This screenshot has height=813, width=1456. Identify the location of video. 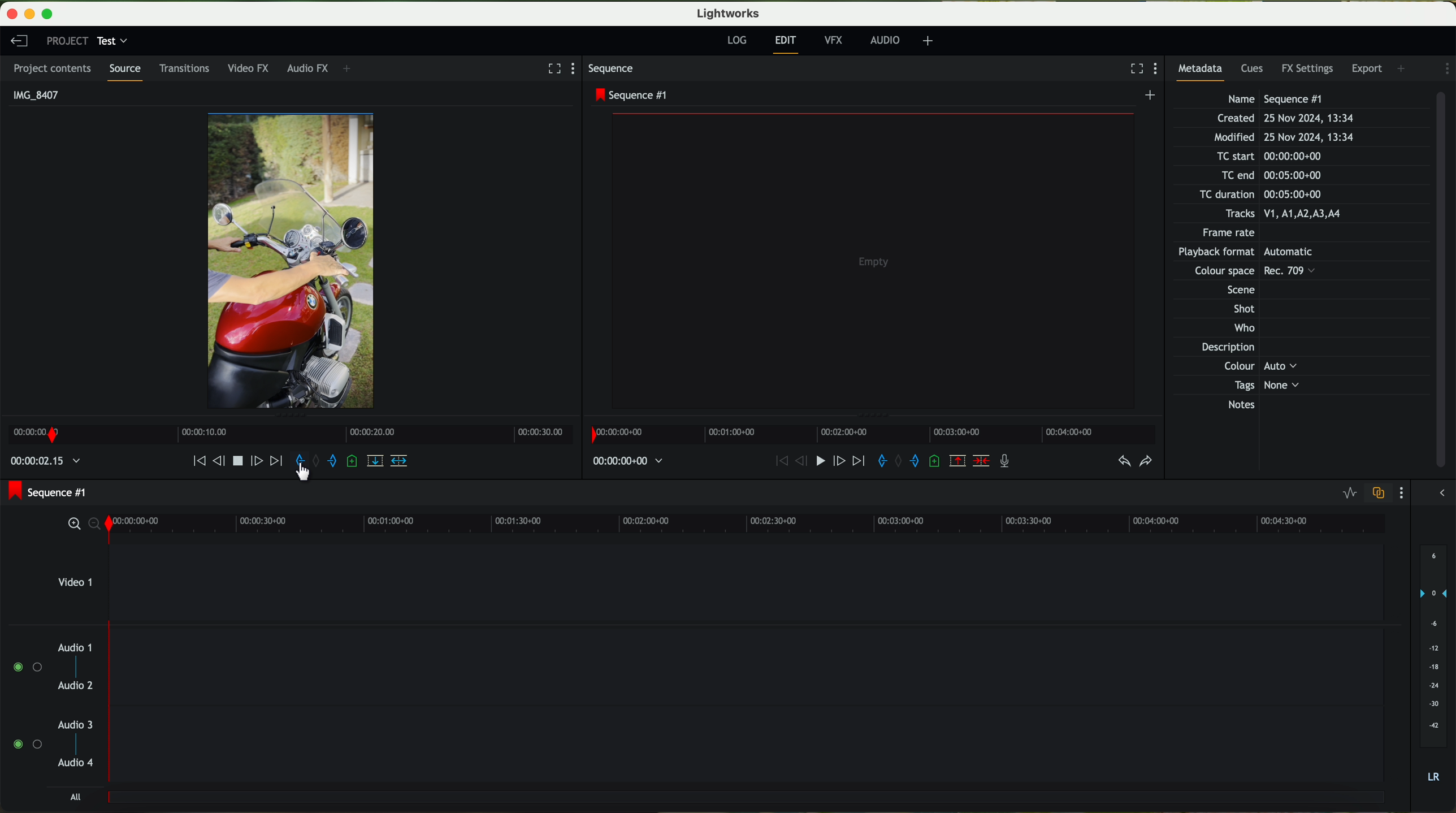
(293, 261).